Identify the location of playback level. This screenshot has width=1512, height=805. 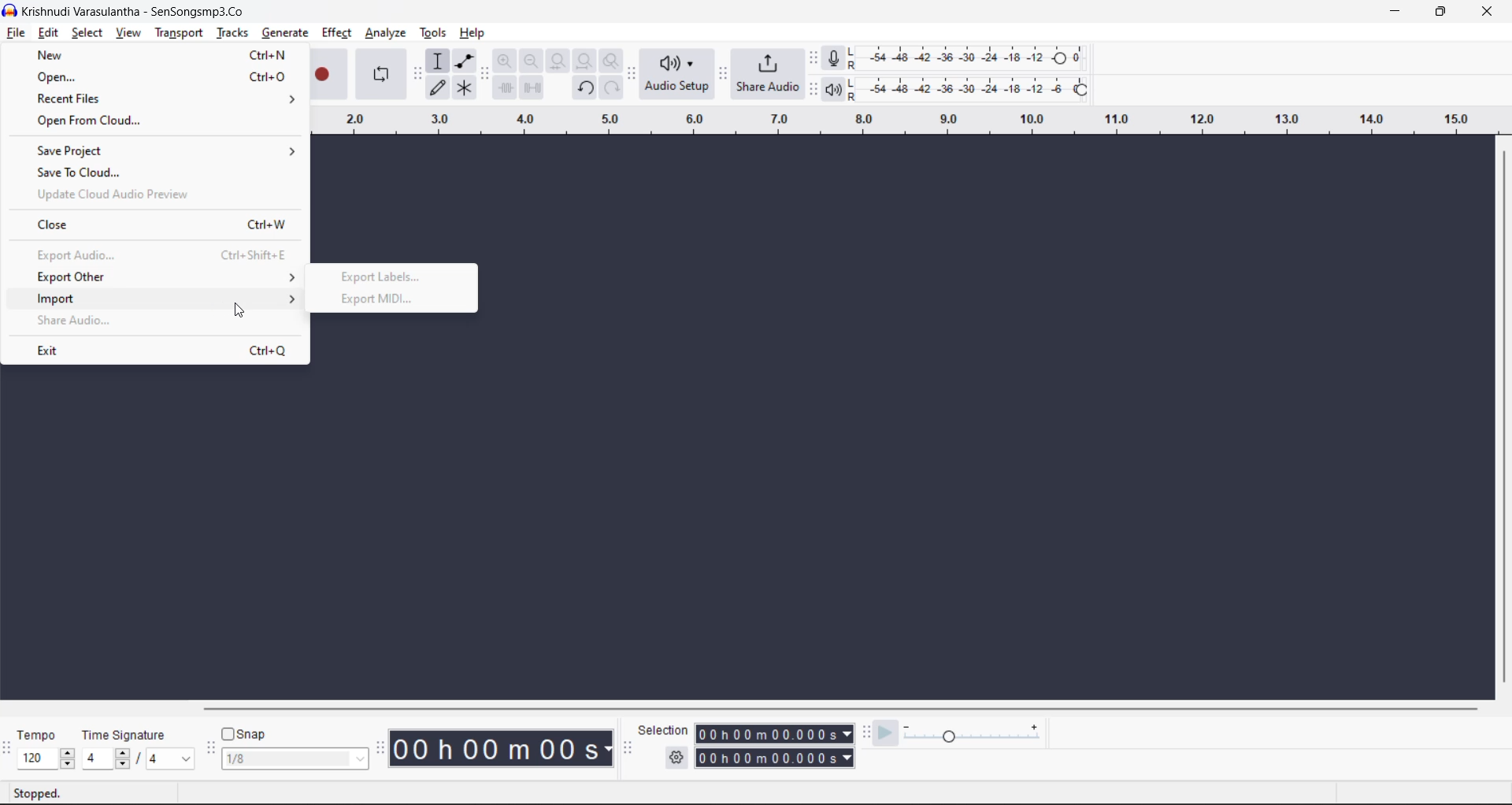
(980, 87).